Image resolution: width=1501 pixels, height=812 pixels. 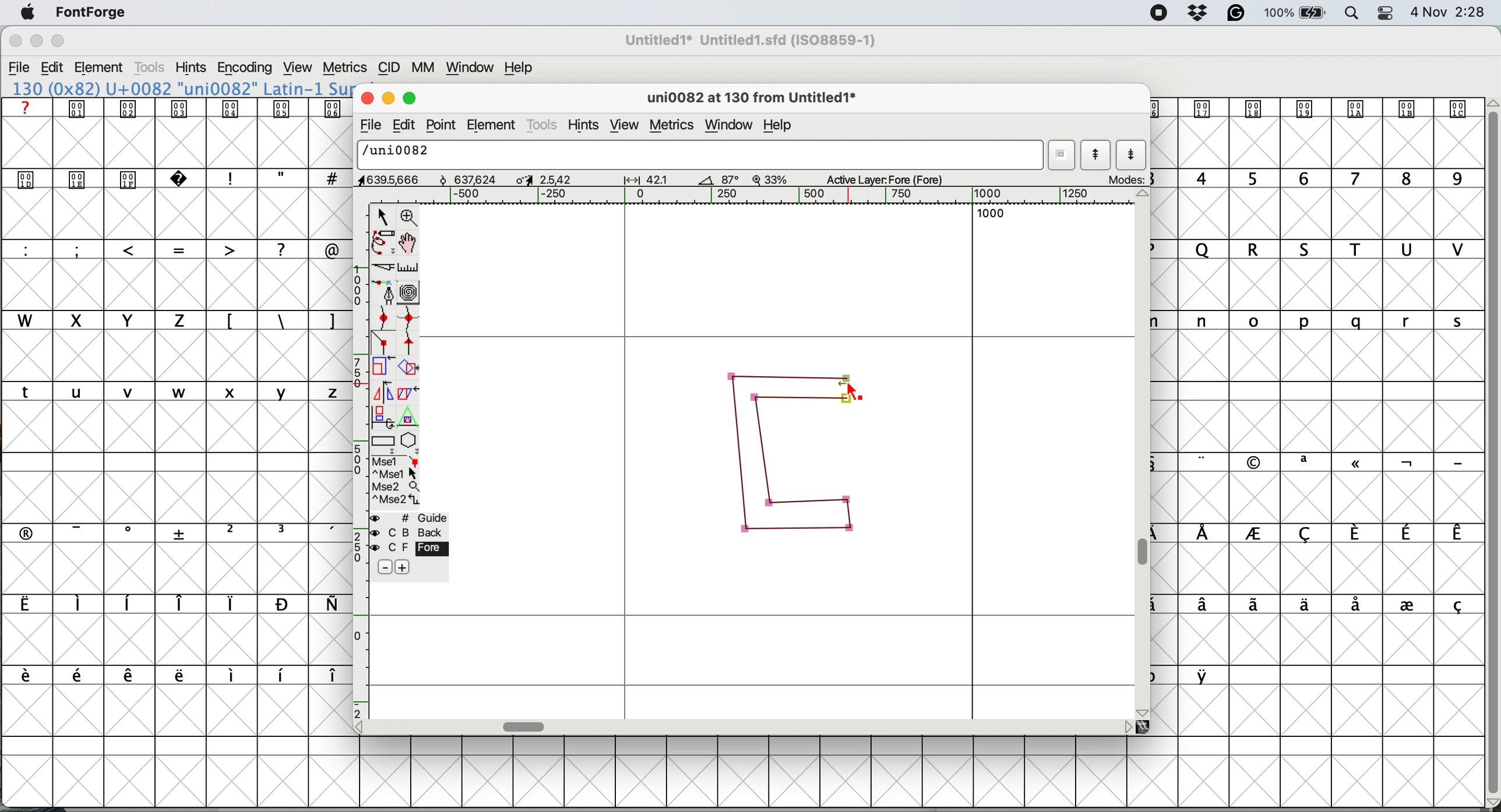 What do you see at coordinates (1294, 13) in the screenshot?
I see `battery` at bounding box center [1294, 13].